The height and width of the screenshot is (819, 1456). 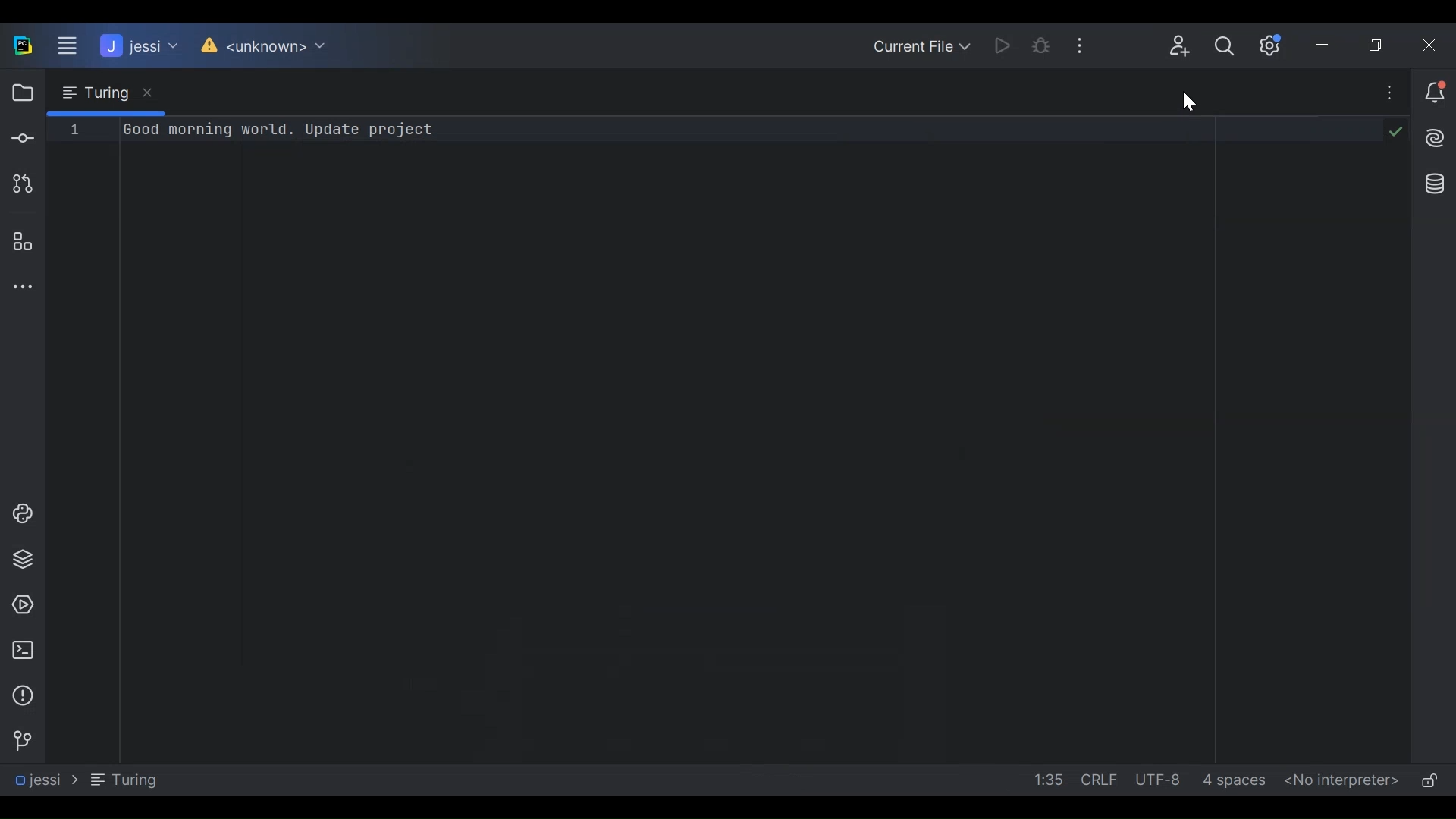 What do you see at coordinates (1180, 45) in the screenshot?
I see `Code With Me` at bounding box center [1180, 45].